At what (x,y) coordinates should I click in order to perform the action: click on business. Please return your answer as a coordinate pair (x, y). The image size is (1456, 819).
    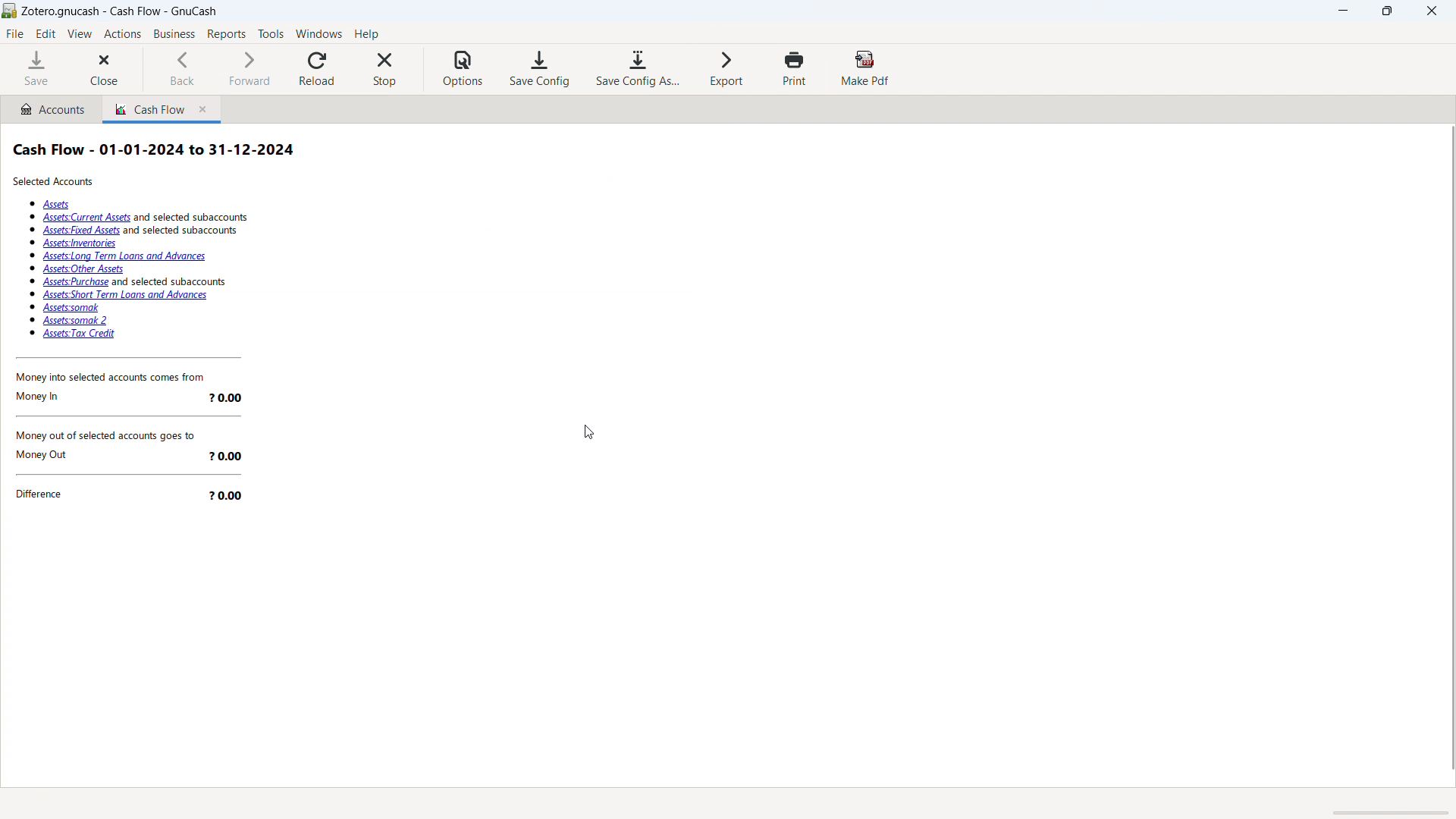
    Looking at the image, I should click on (174, 33).